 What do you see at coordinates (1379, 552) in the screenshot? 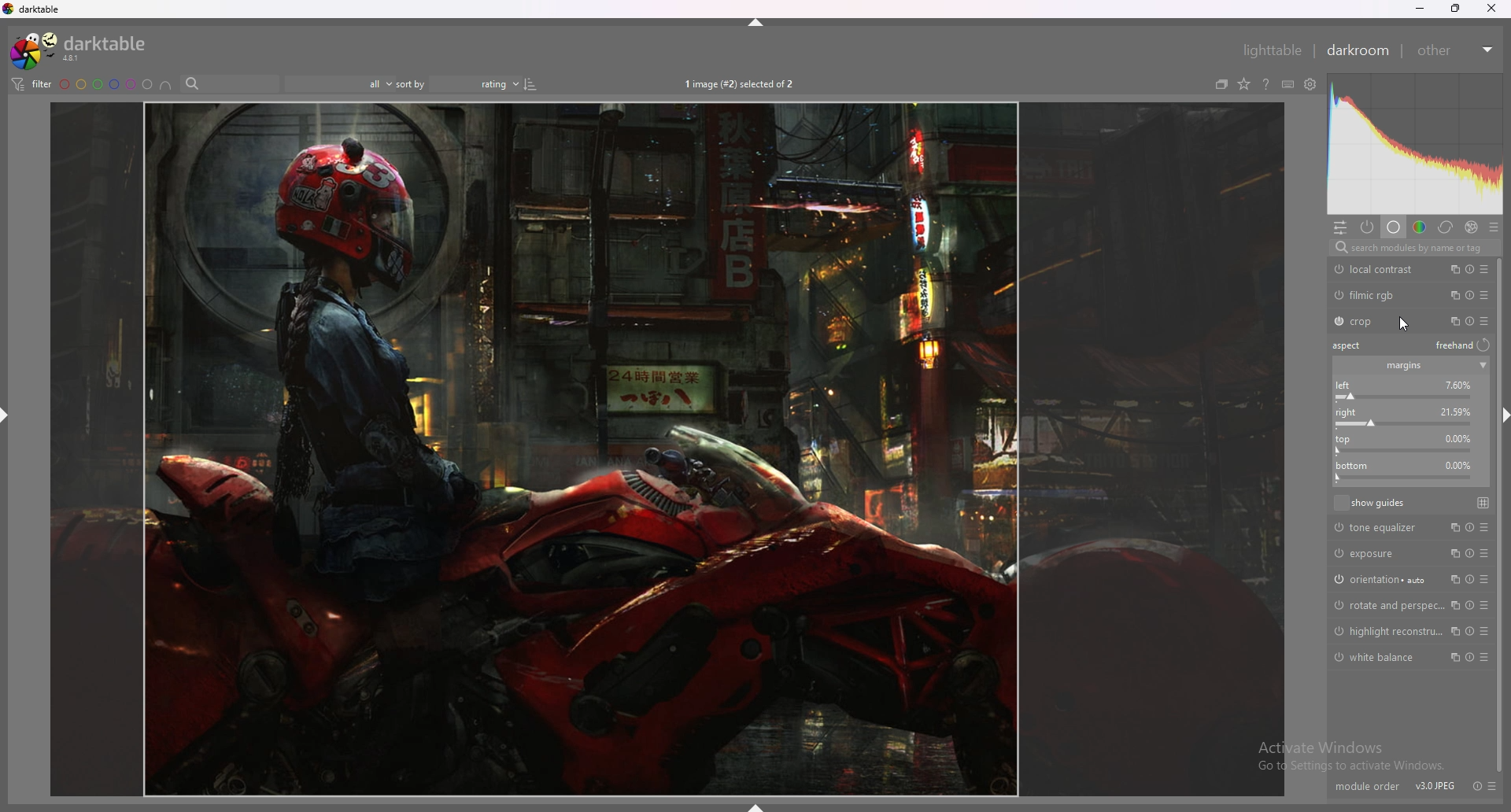
I see `exposure` at bounding box center [1379, 552].